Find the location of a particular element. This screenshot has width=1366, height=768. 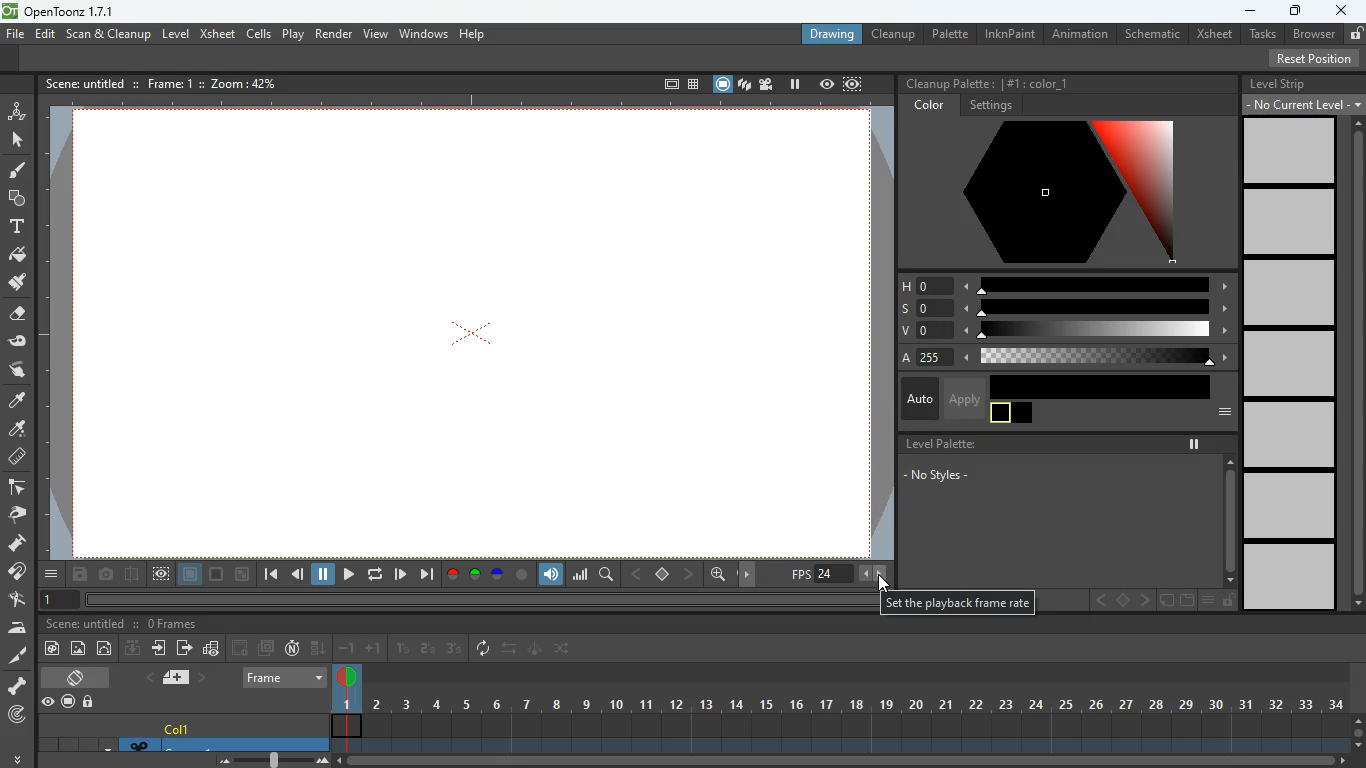

edit is located at coordinates (535, 651).